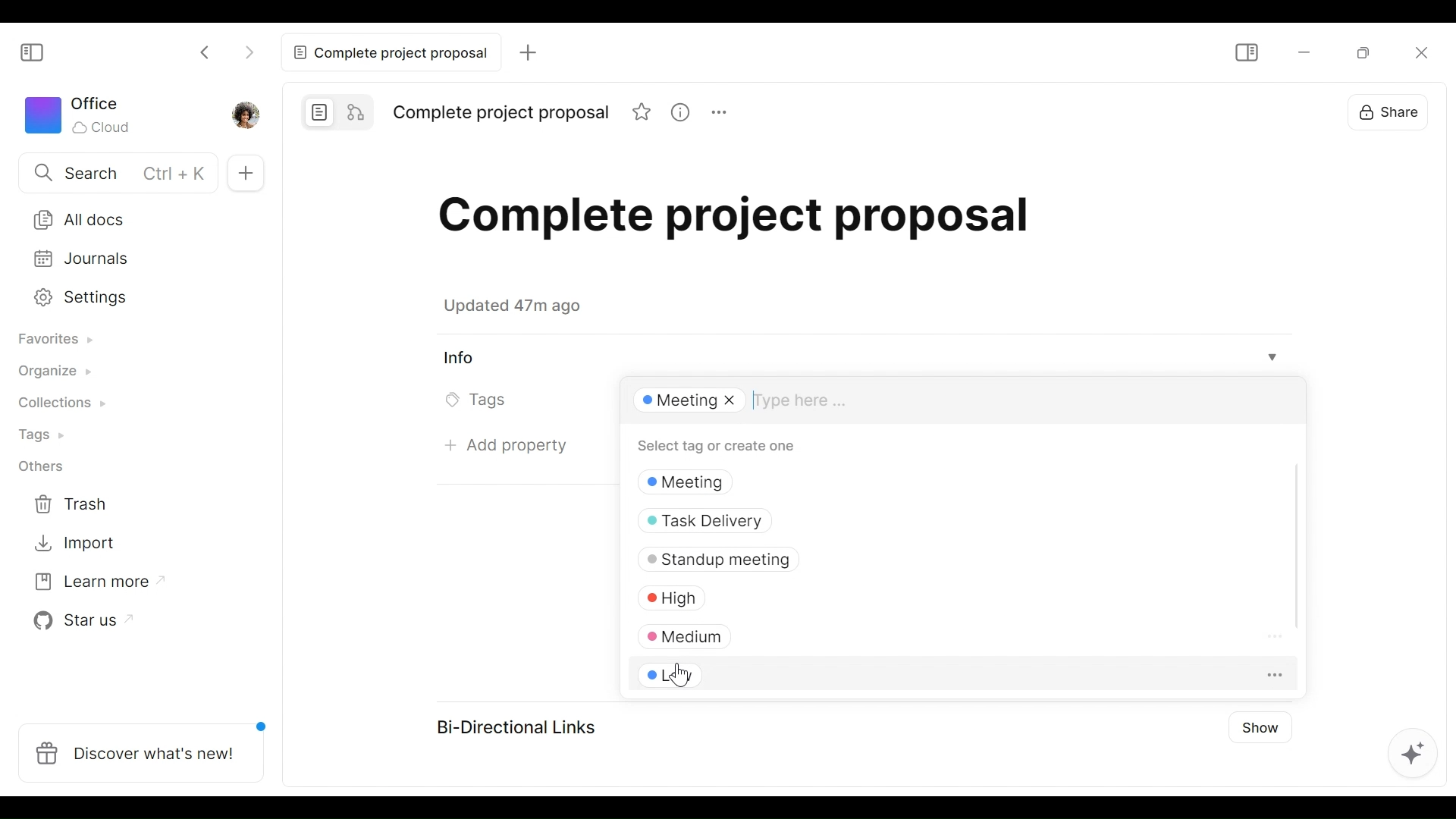  What do you see at coordinates (843, 558) in the screenshot?
I see `Standup meeting` at bounding box center [843, 558].